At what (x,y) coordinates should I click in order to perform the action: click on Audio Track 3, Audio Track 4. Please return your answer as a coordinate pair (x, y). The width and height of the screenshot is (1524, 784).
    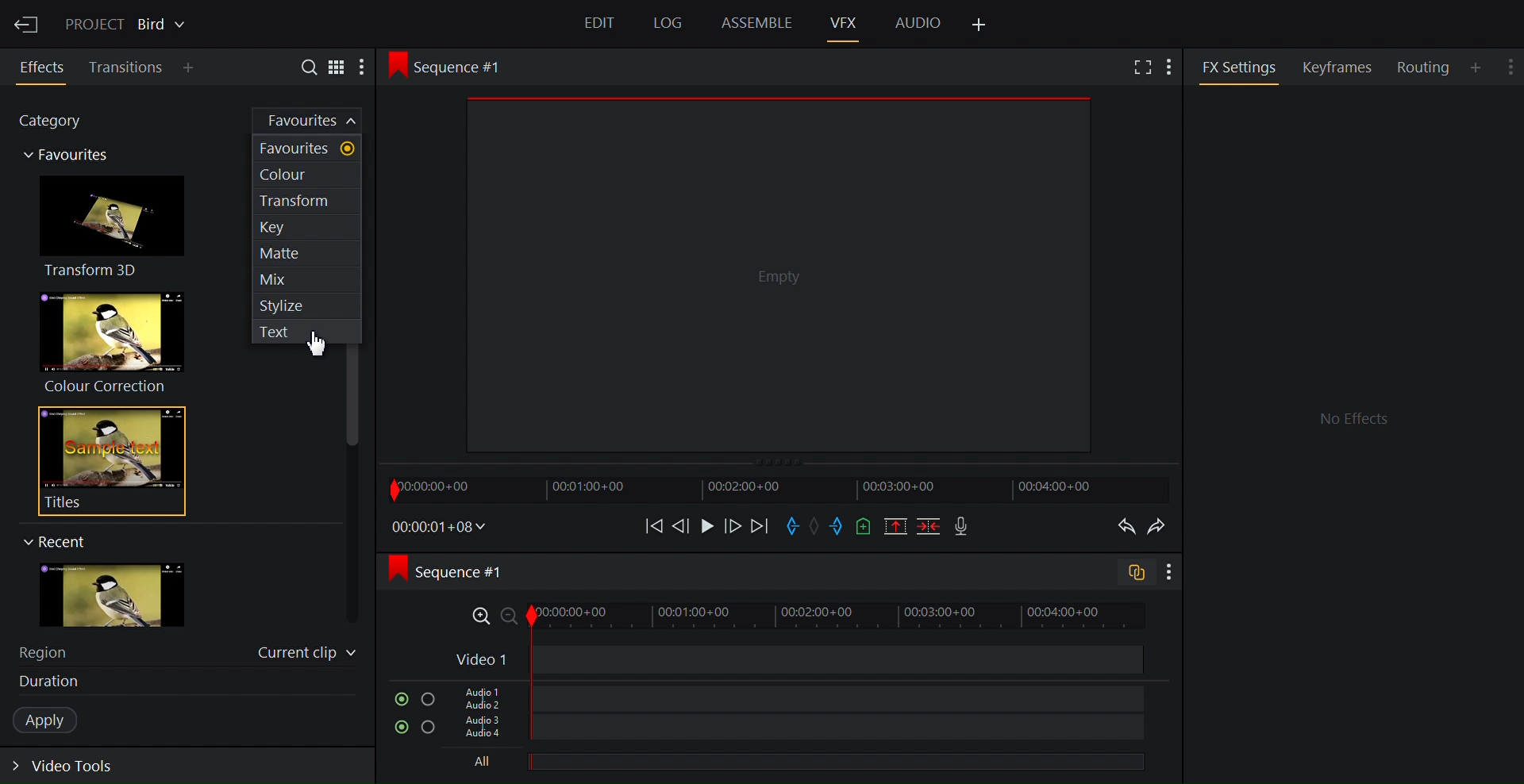
    Looking at the image, I should click on (796, 731).